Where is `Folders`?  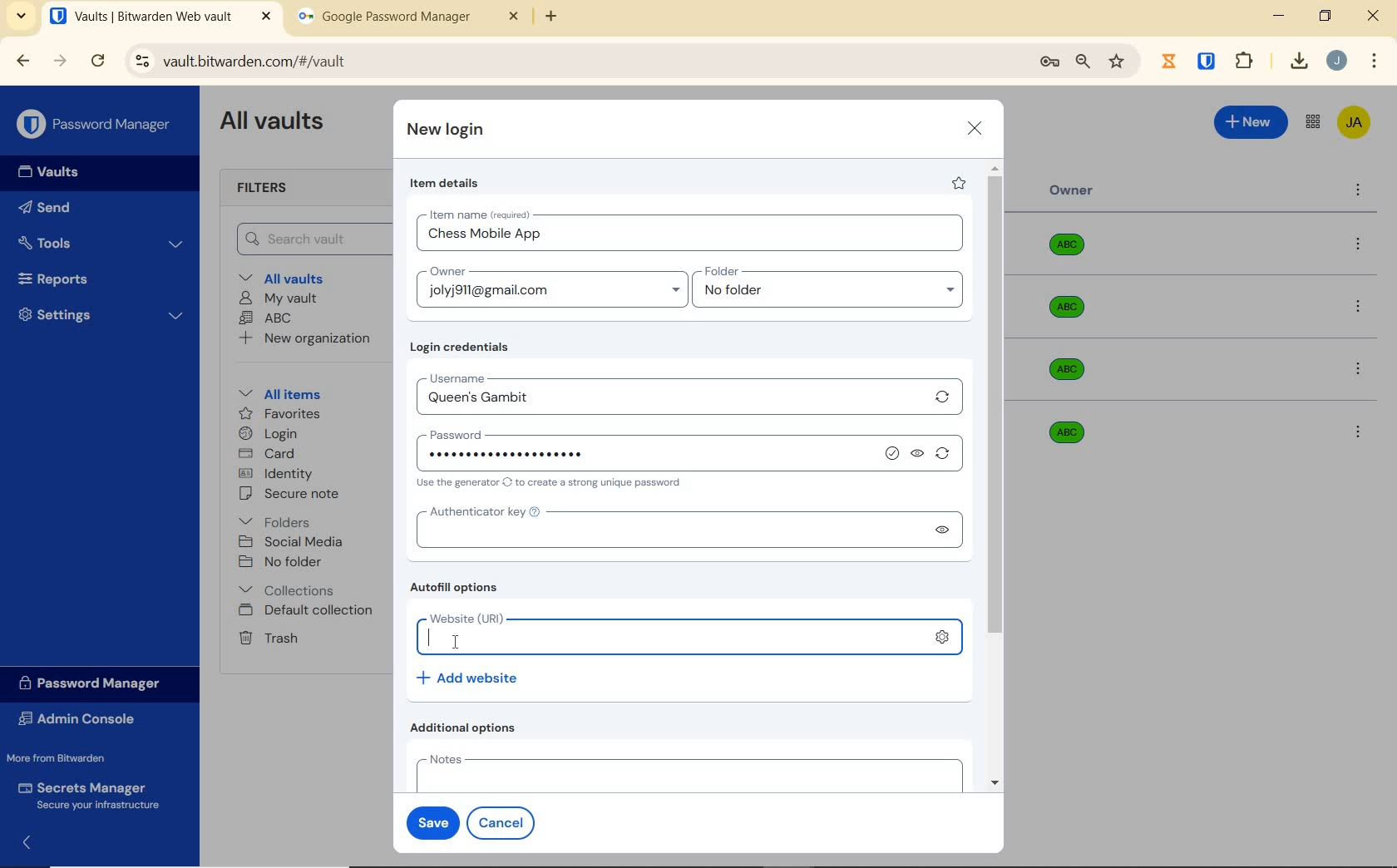
Folders is located at coordinates (278, 519).